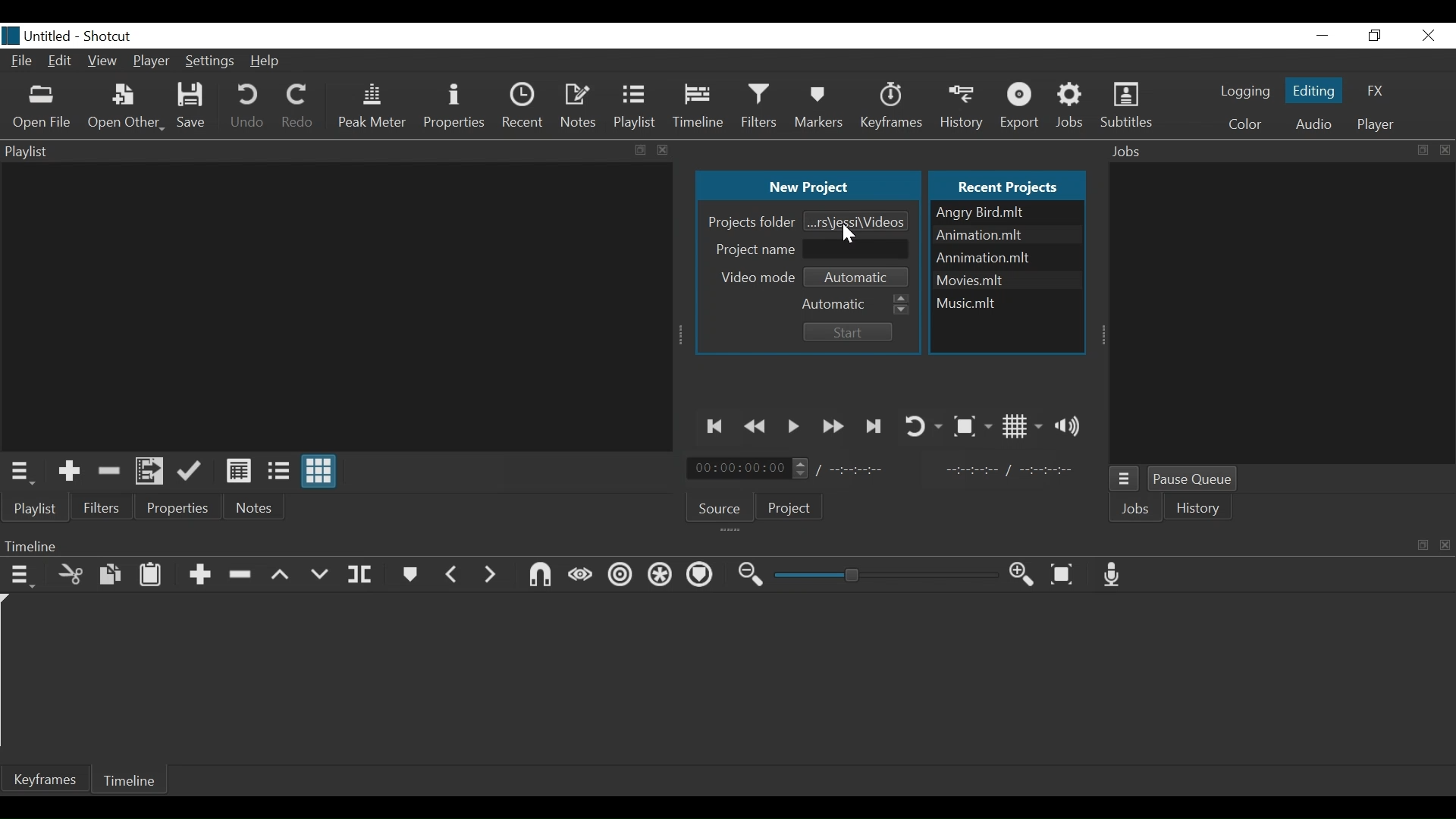 The width and height of the screenshot is (1456, 819). I want to click on player, so click(1373, 124).